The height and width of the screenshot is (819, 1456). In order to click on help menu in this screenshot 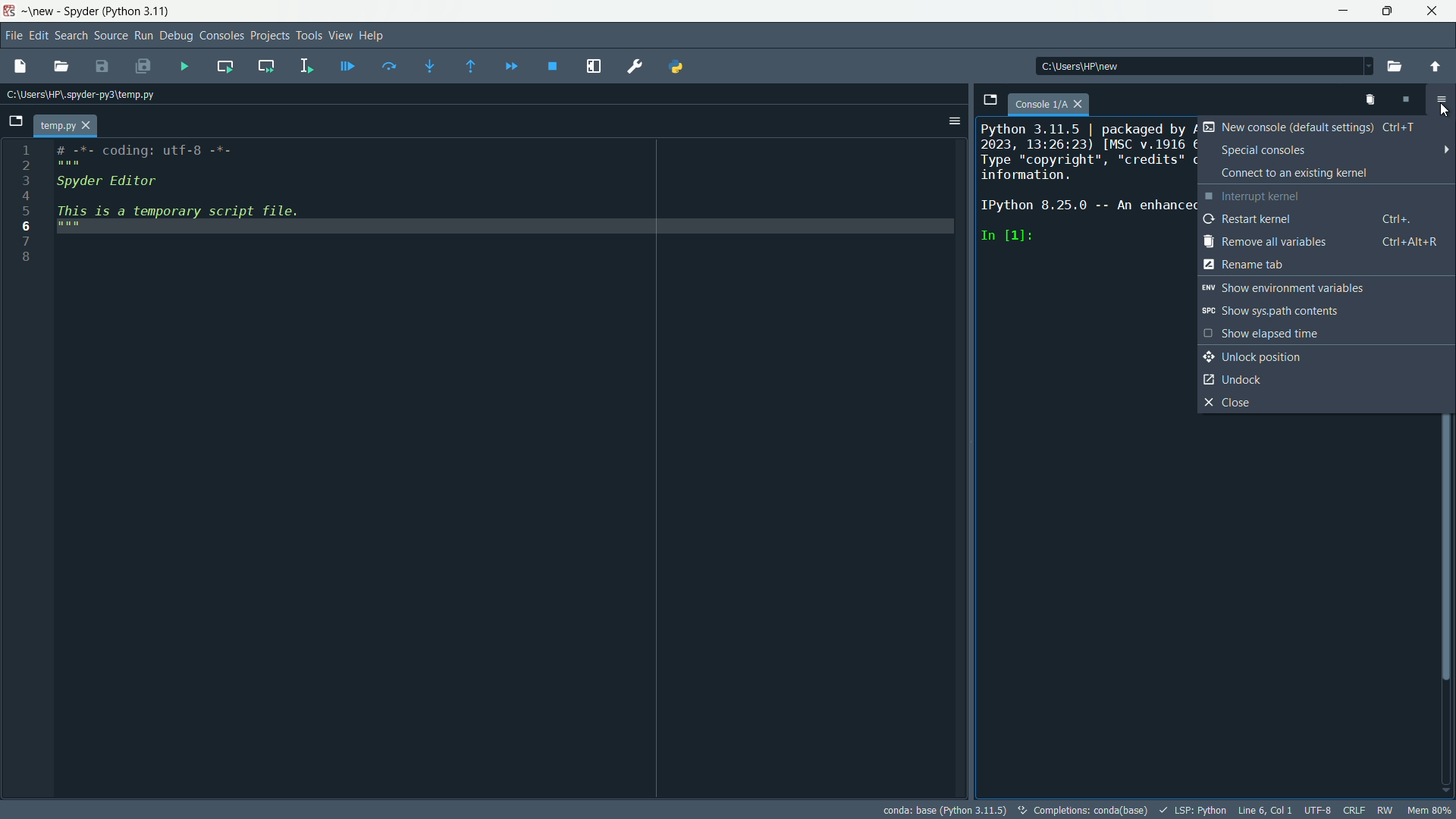, I will do `click(372, 35)`.